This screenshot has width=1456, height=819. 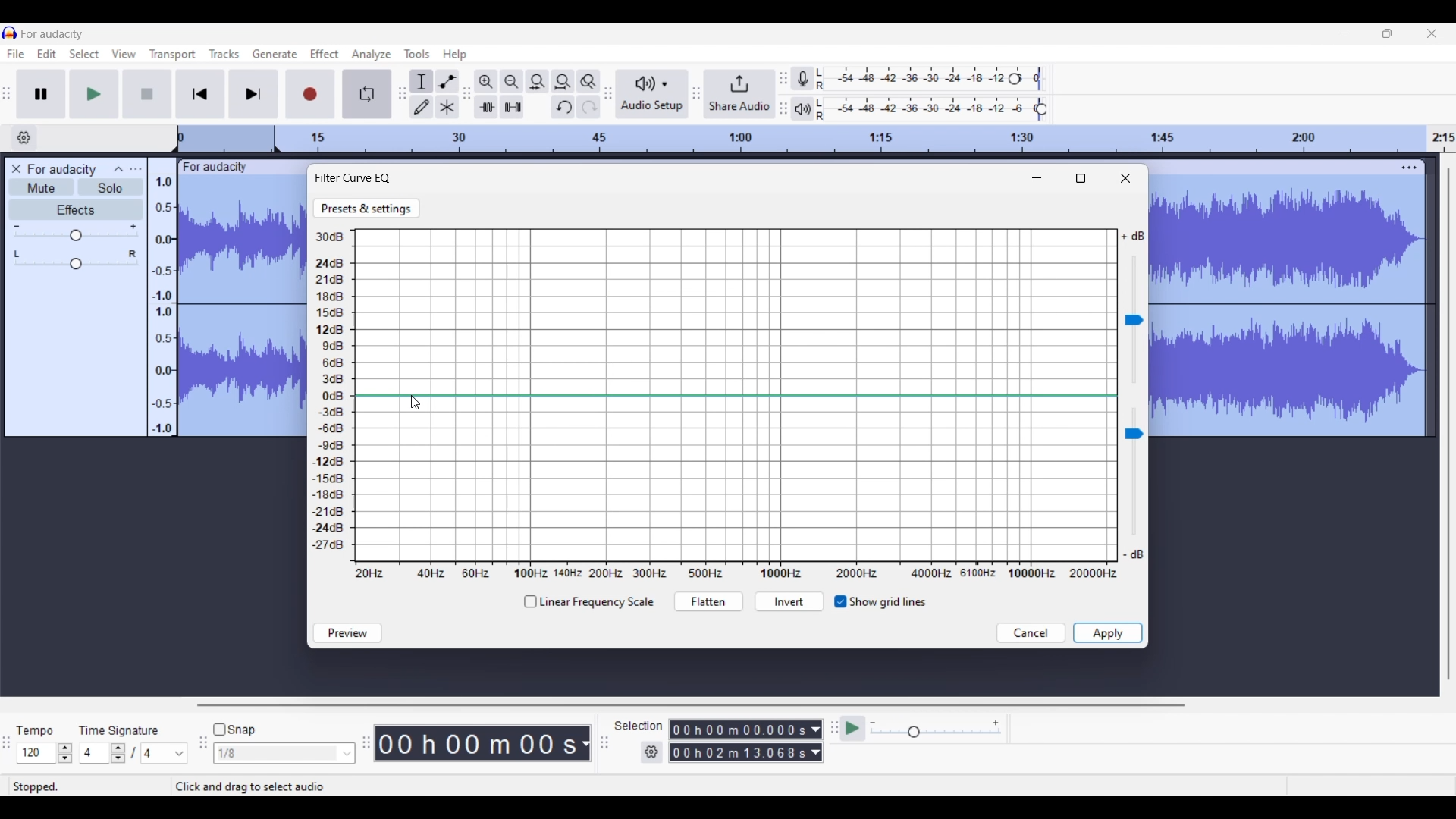 I want to click on Draw tool, so click(x=422, y=107).